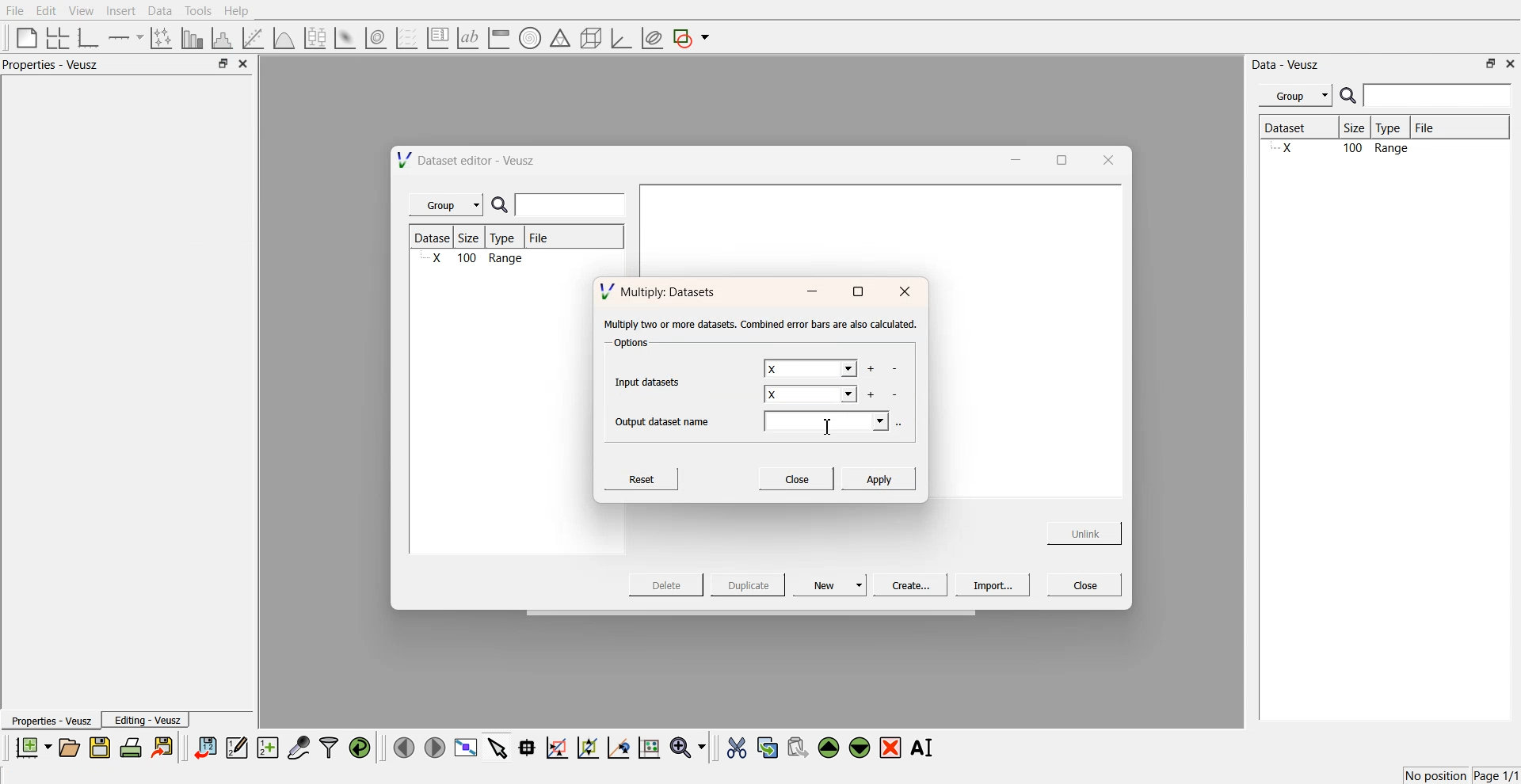 This screenshot has width=1521, height=784. What do you see at coordinates (237, 749) in the screenshot?
I see `edit and enter data points` at bounding box center [237, 749].